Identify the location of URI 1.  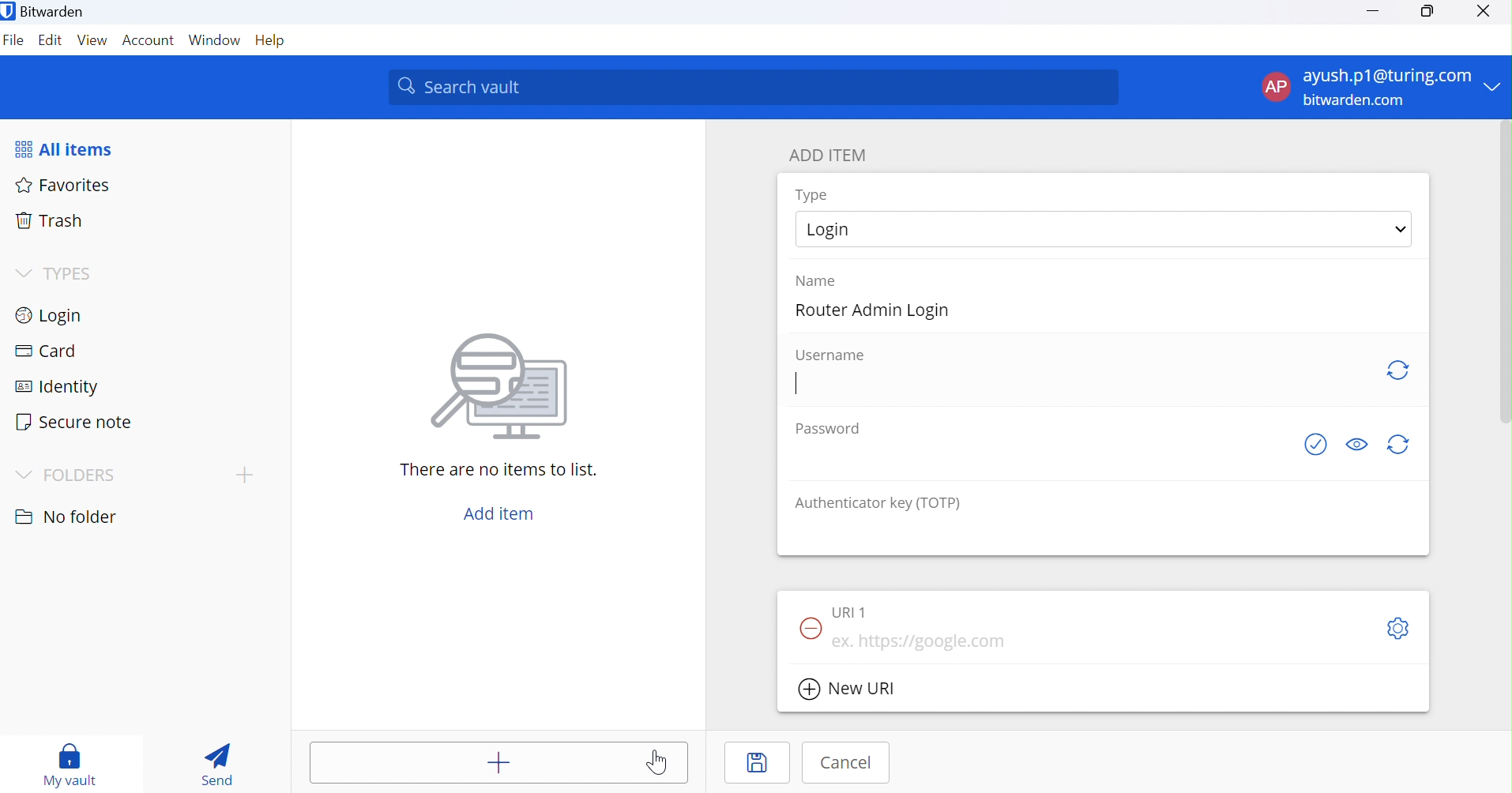
(850, 613).